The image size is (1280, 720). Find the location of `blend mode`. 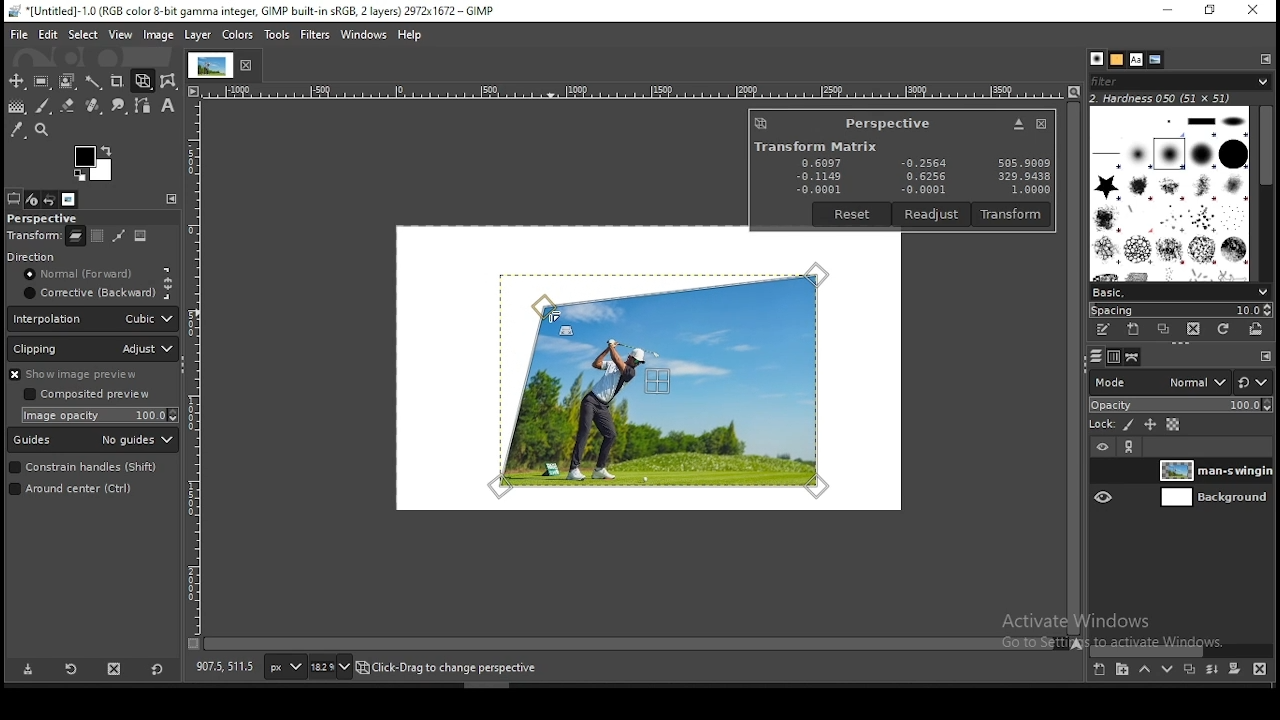

blend mode is located at coordinates (1181, 382).